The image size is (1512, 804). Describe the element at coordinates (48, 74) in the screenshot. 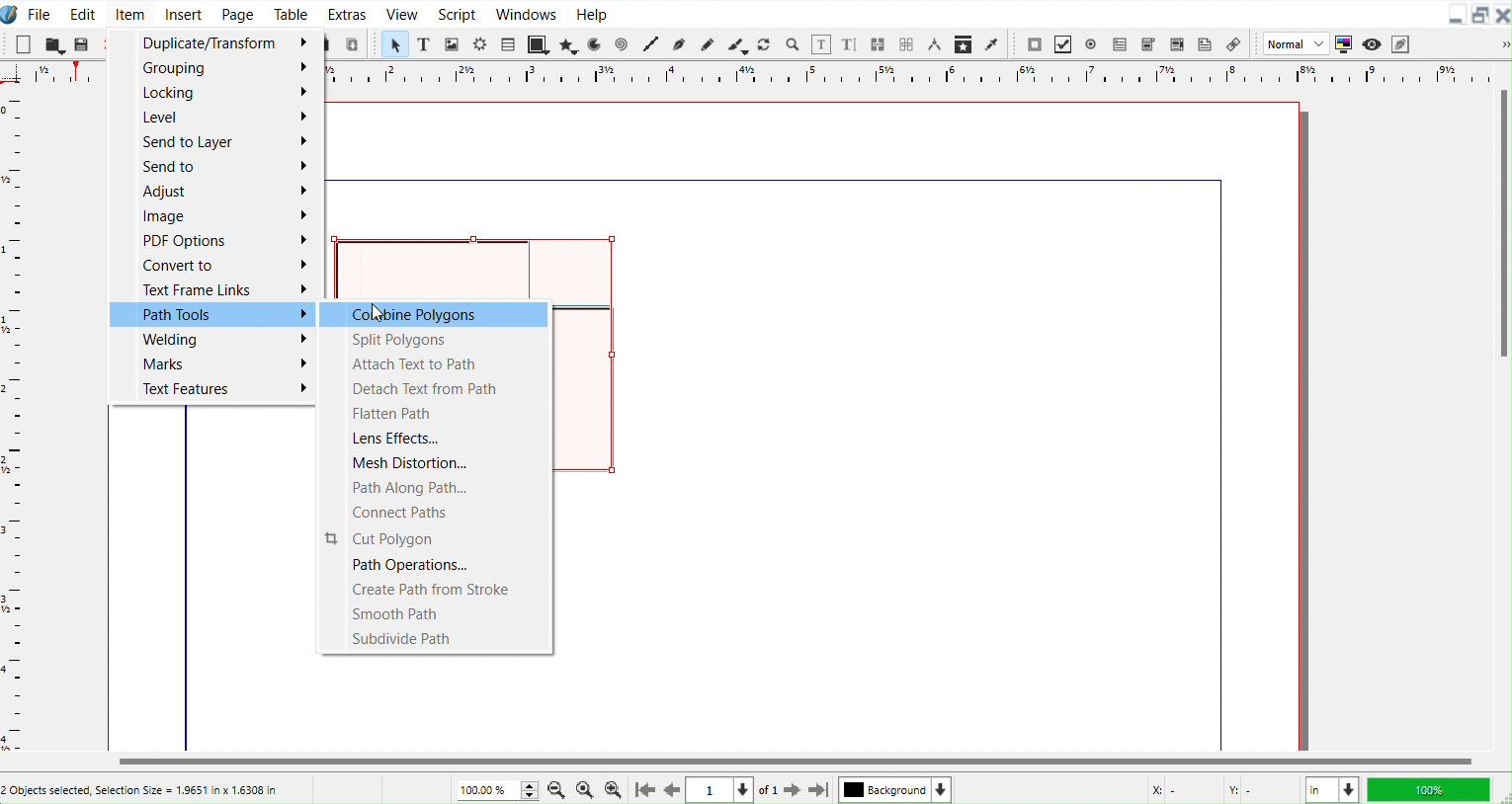

I see `vertical scale` at that location.